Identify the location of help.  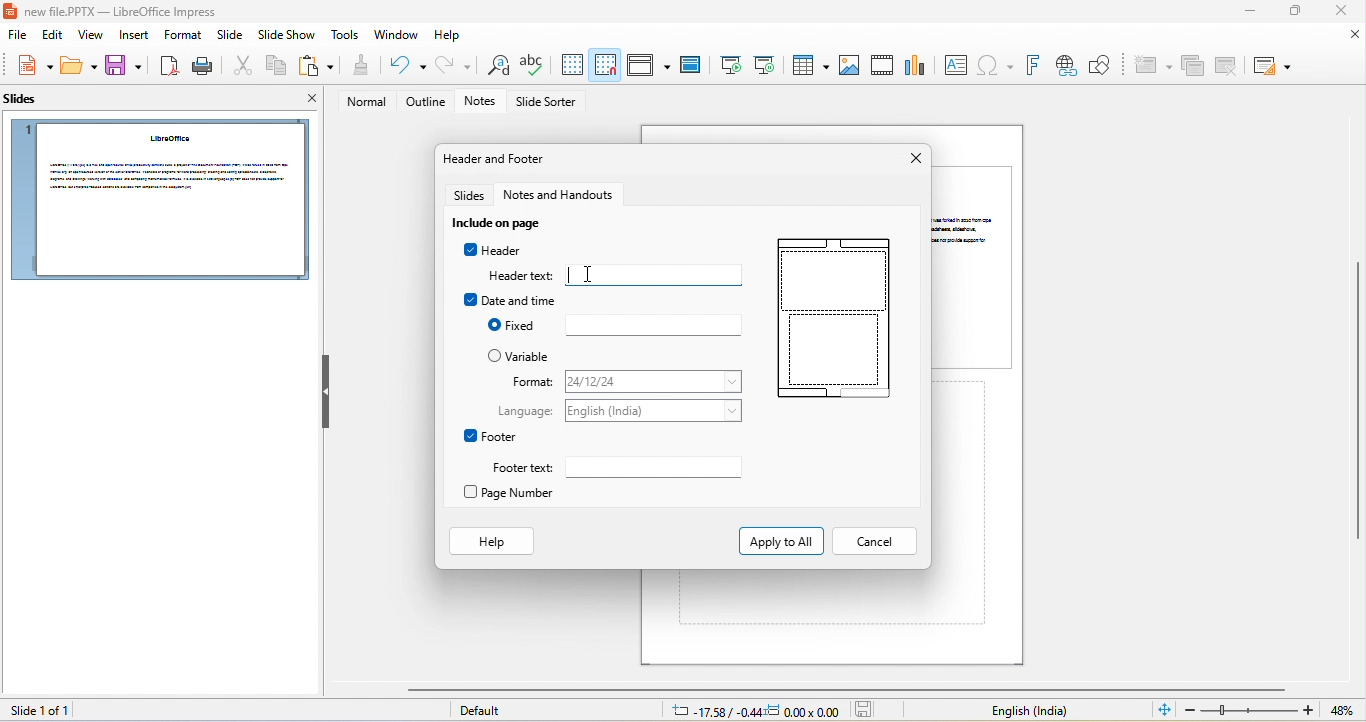
(449, 36).